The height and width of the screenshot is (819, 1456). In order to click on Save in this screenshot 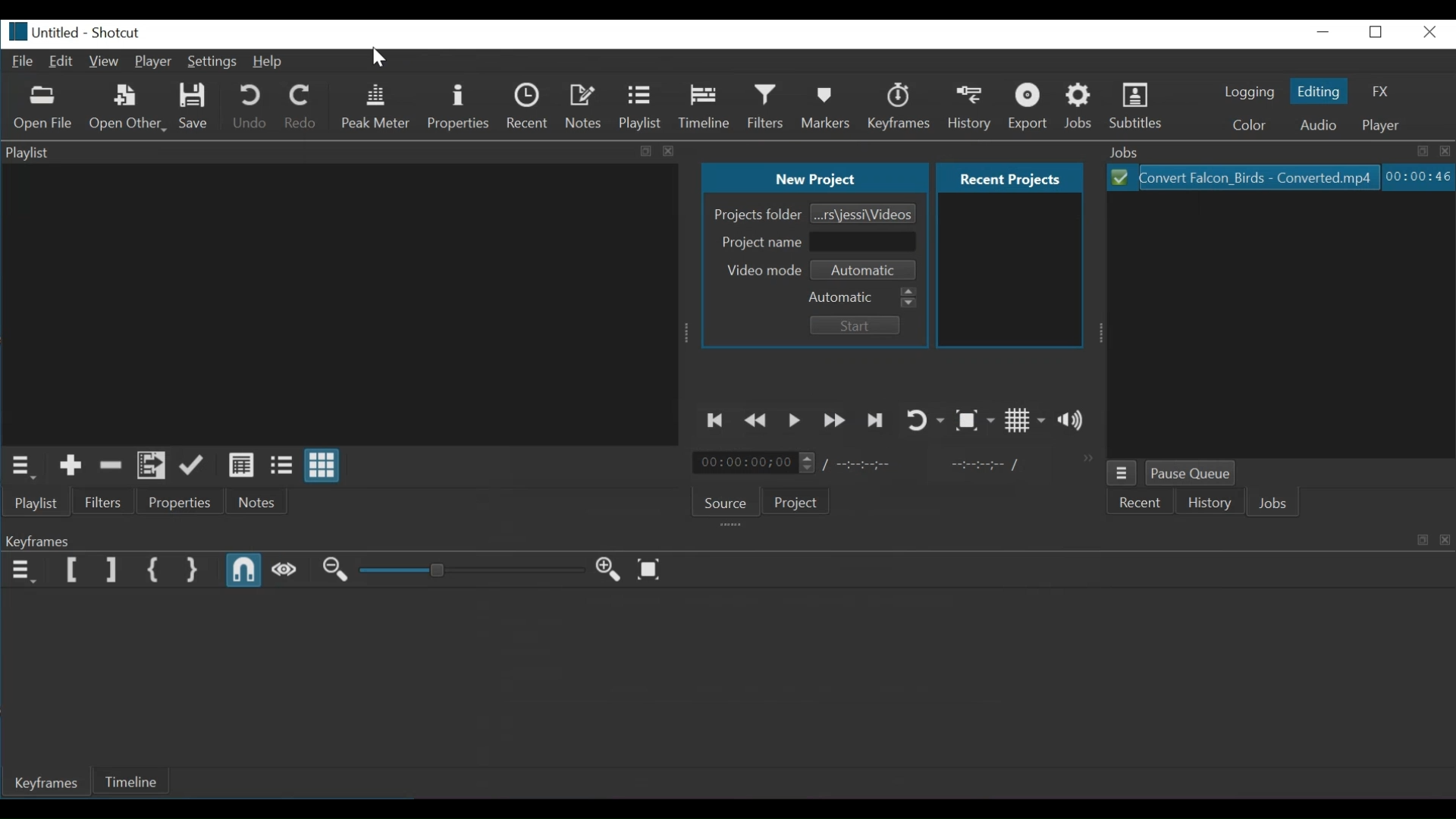, I will do `click(199, 108)`.